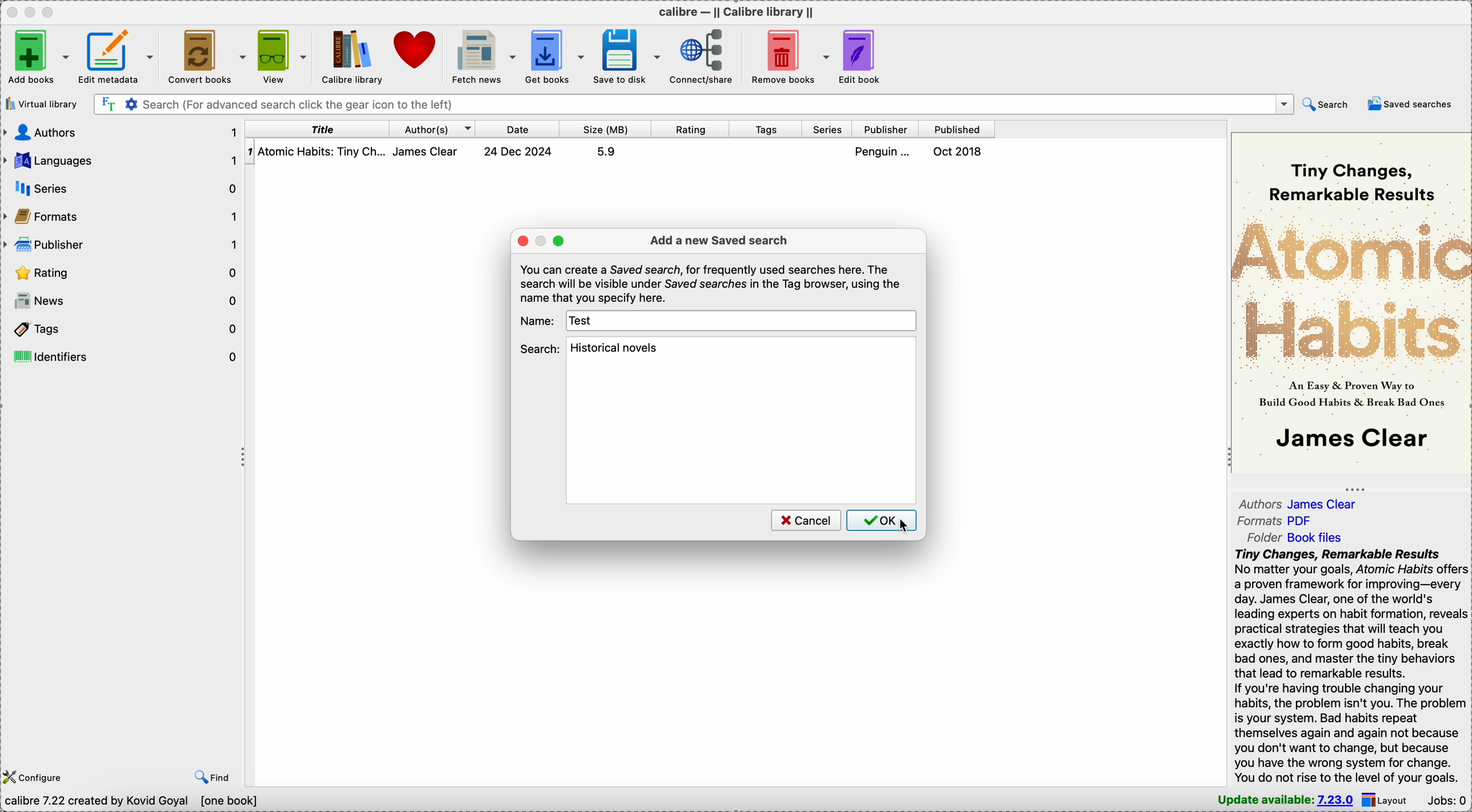 The height and width of the screenshot is (812, 1472). What do you see at coordinates (767, 130) in the screenshot?
I see `tags` at bounding box center [767, 130].